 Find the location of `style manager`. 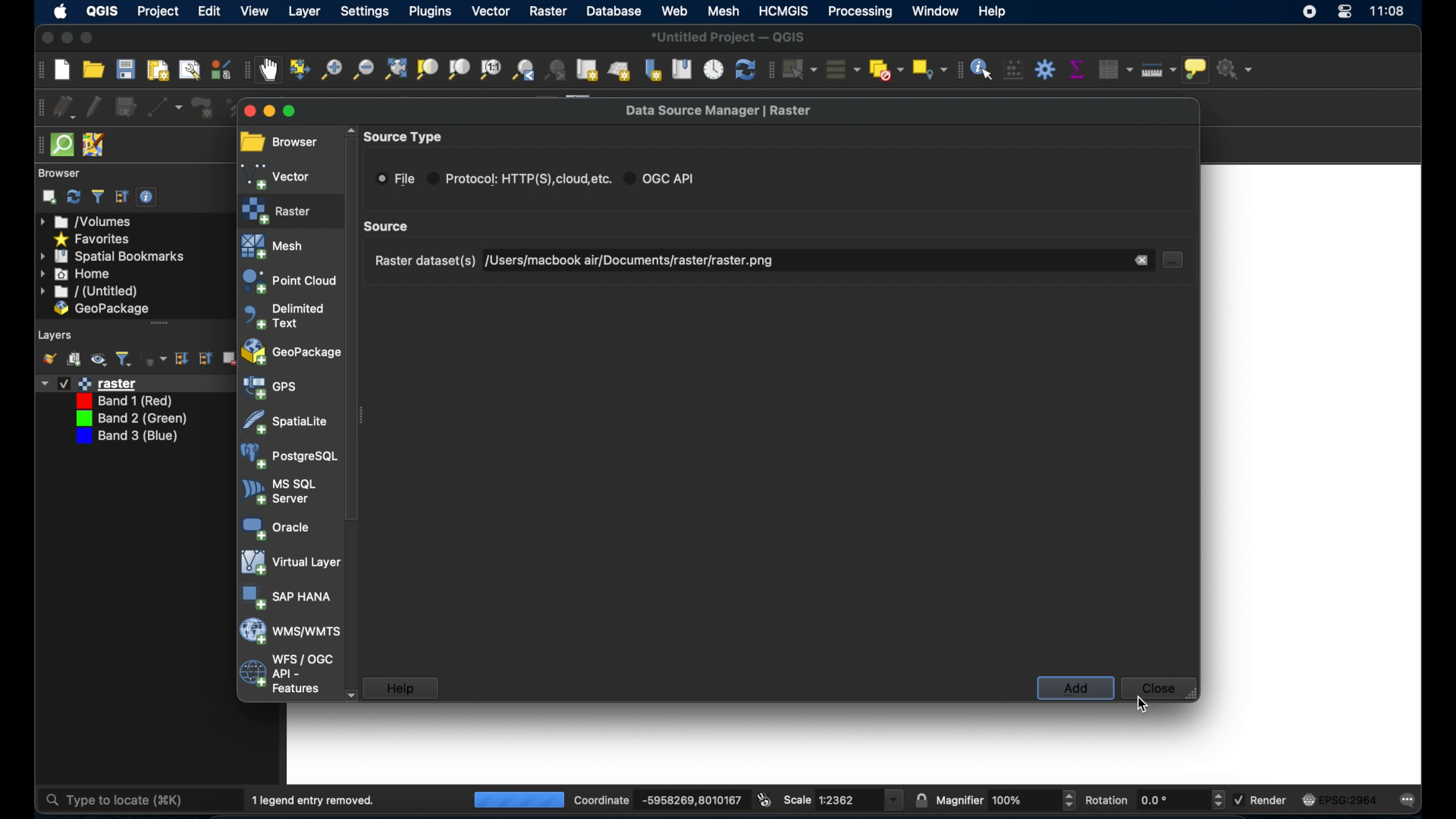

style manager is located at coordinates (220, 69).